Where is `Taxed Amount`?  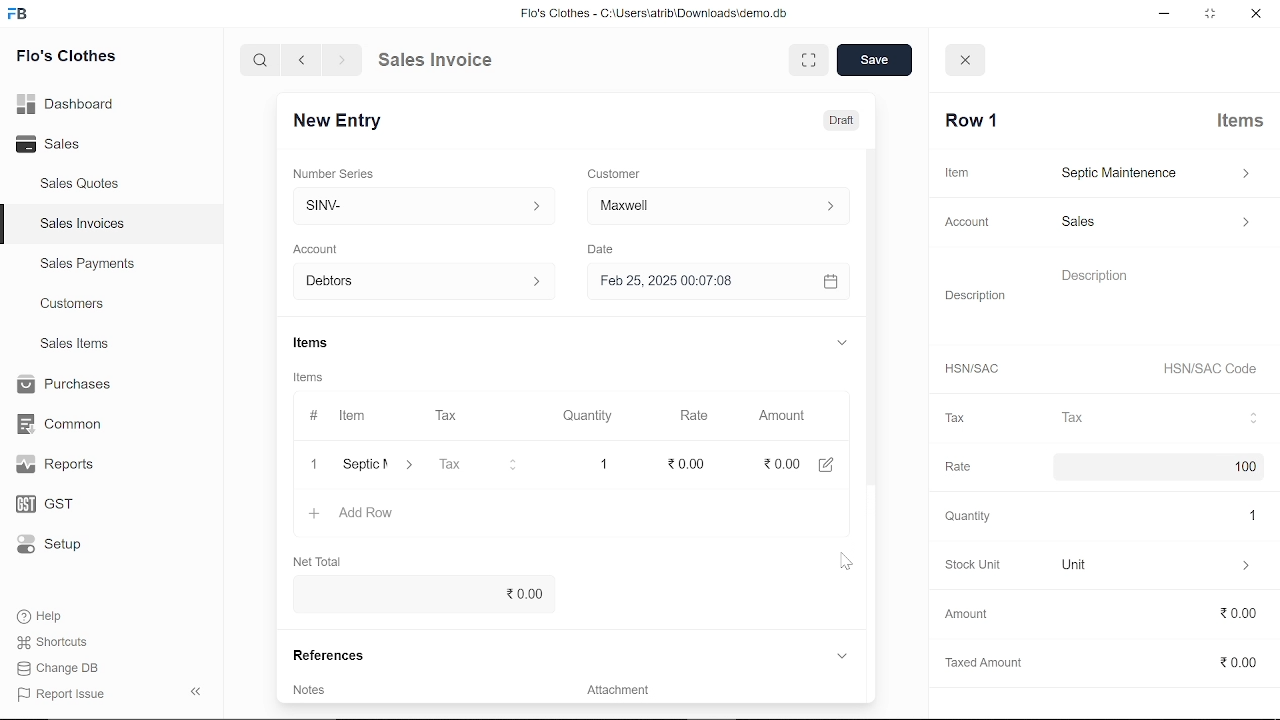
Taxed Amount is located at coordinates (978, 659).